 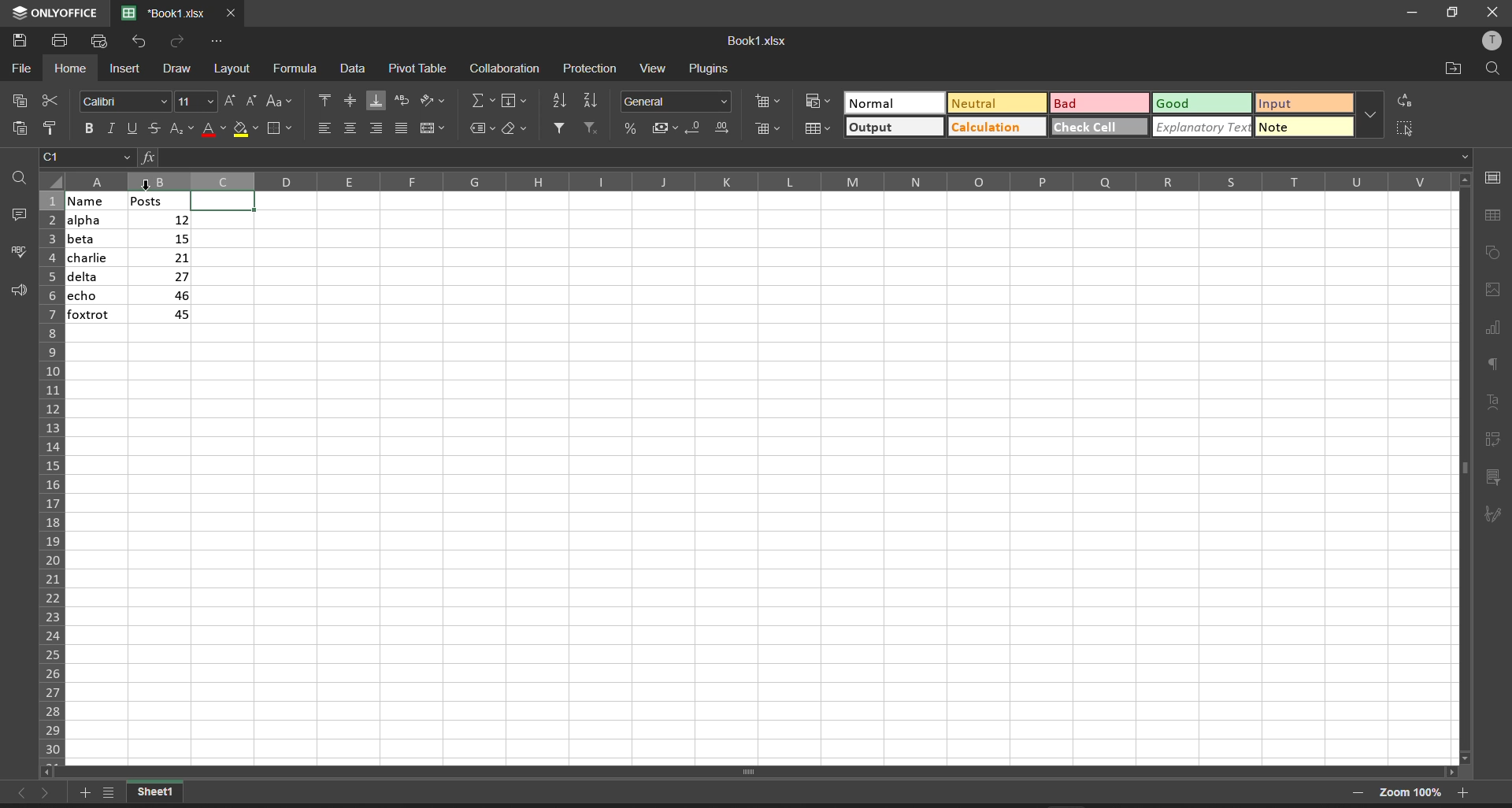 I want to click on paragraph settings, so click(x=1498, y=363).